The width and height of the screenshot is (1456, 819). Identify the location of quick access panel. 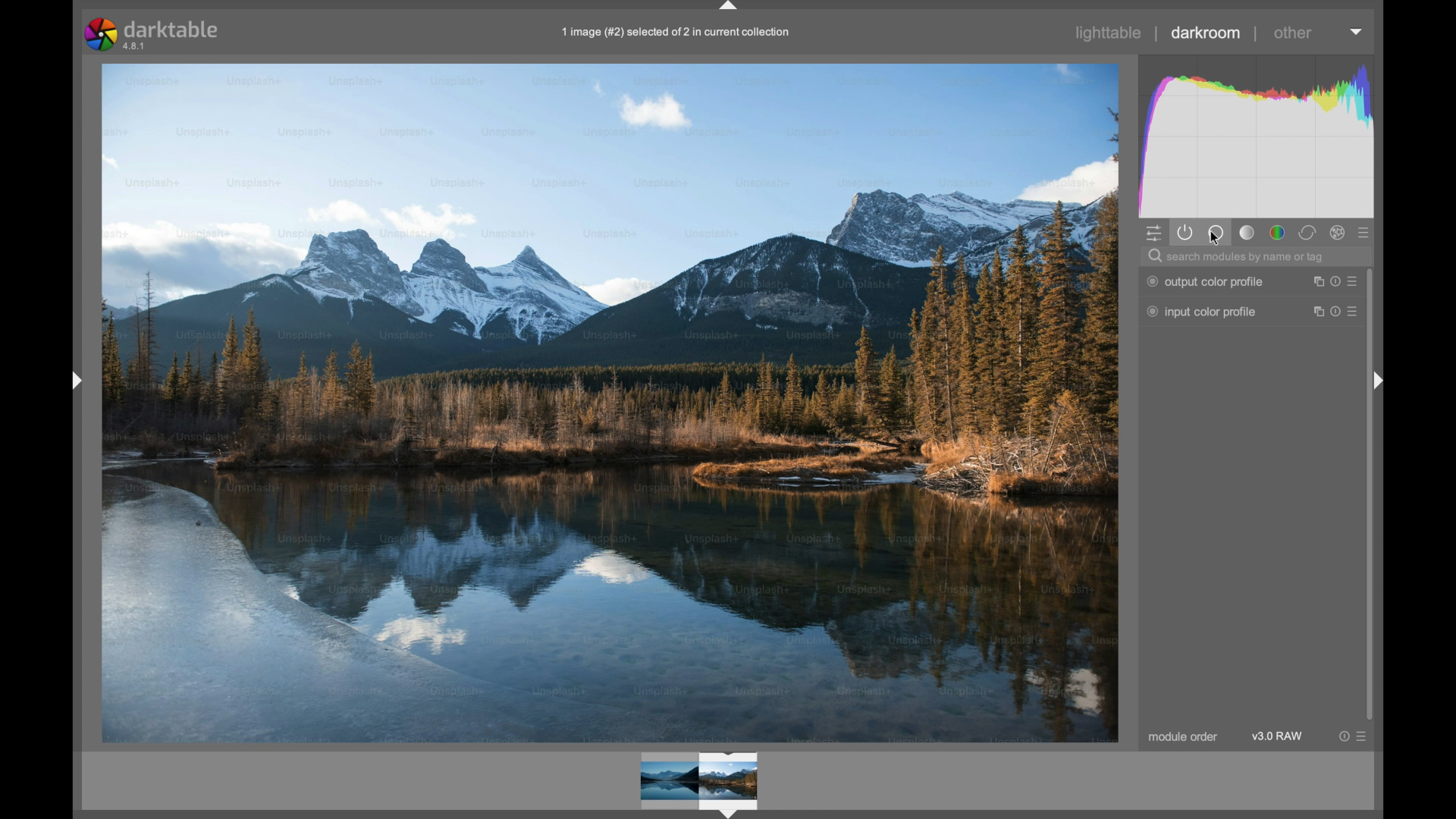
(1154, 234).